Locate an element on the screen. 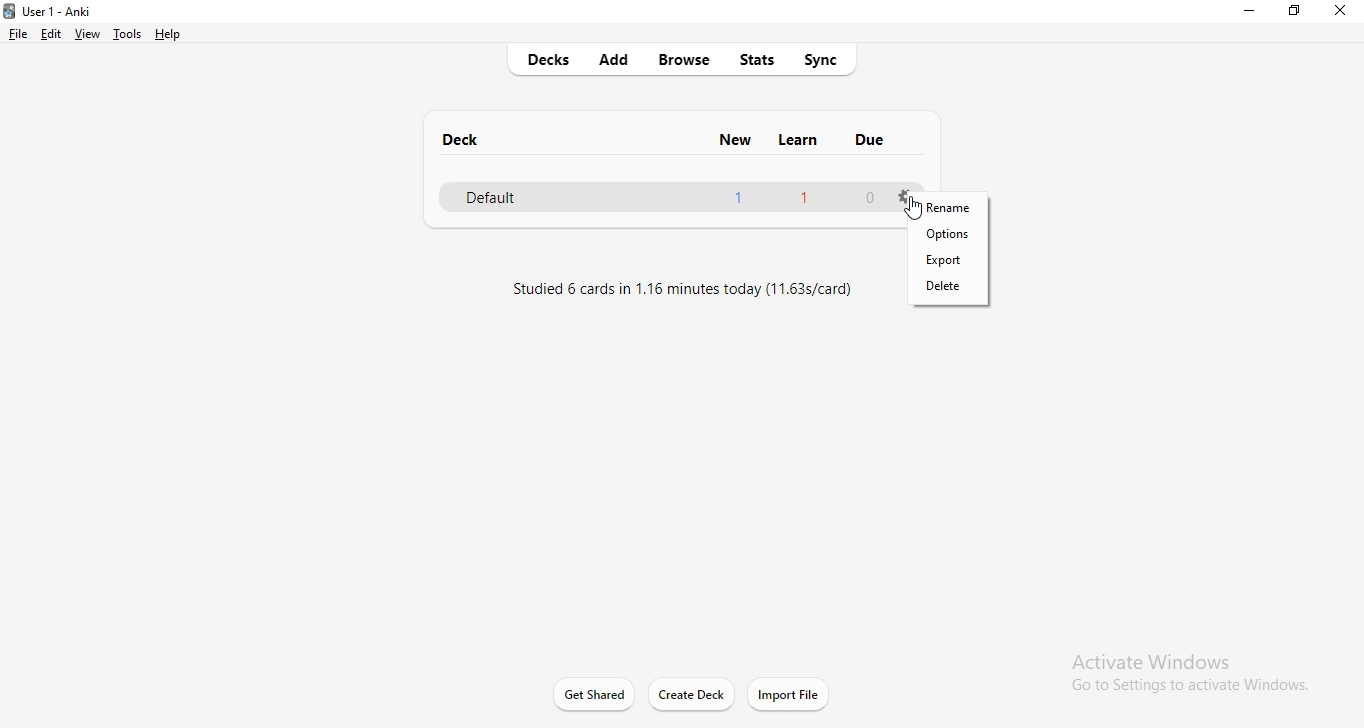 This screenshot has height=728, width=1364. browse is located at coordinates (685, 62).